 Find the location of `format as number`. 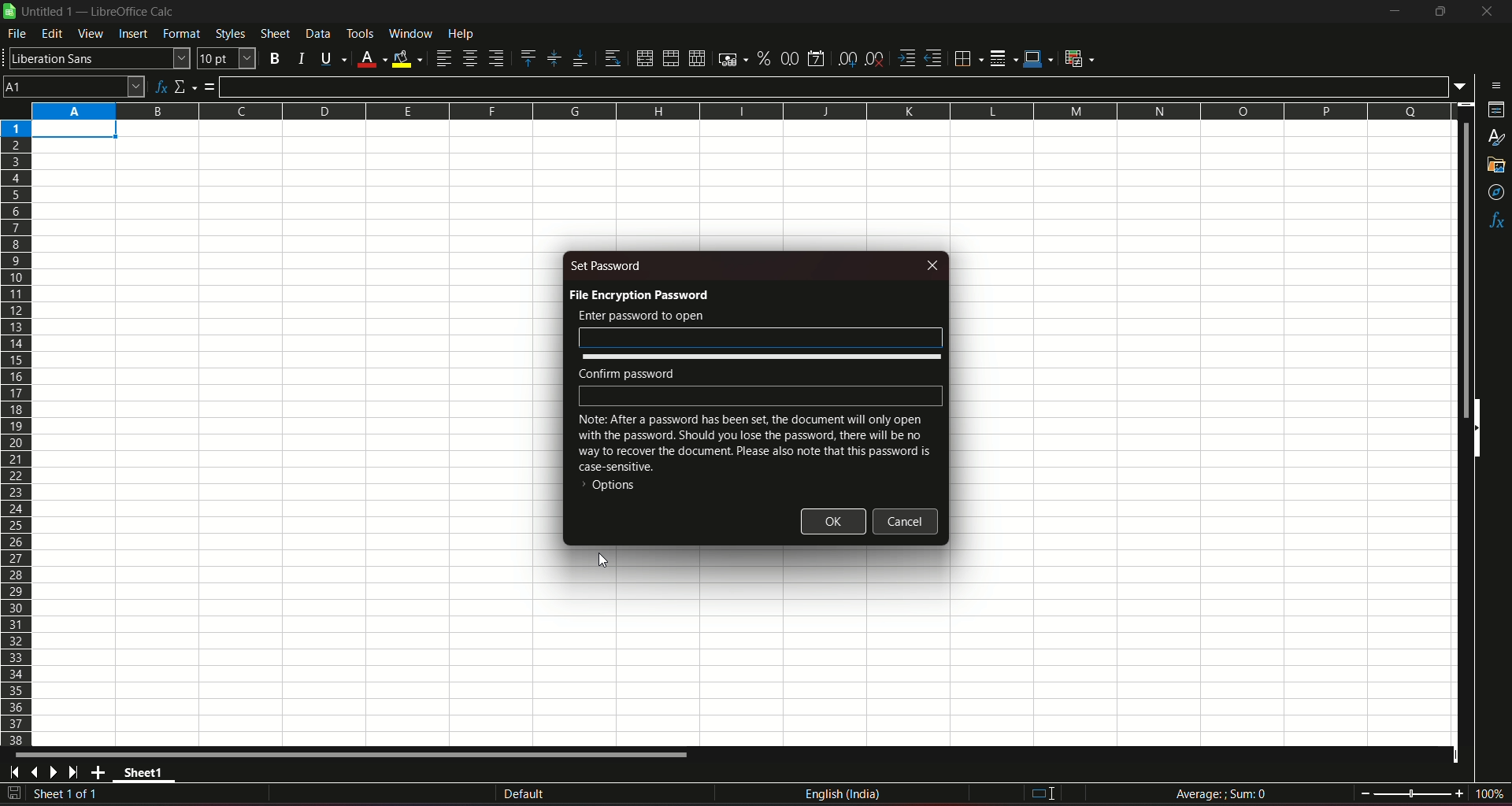

format as number is located at coordinates (790, 58).